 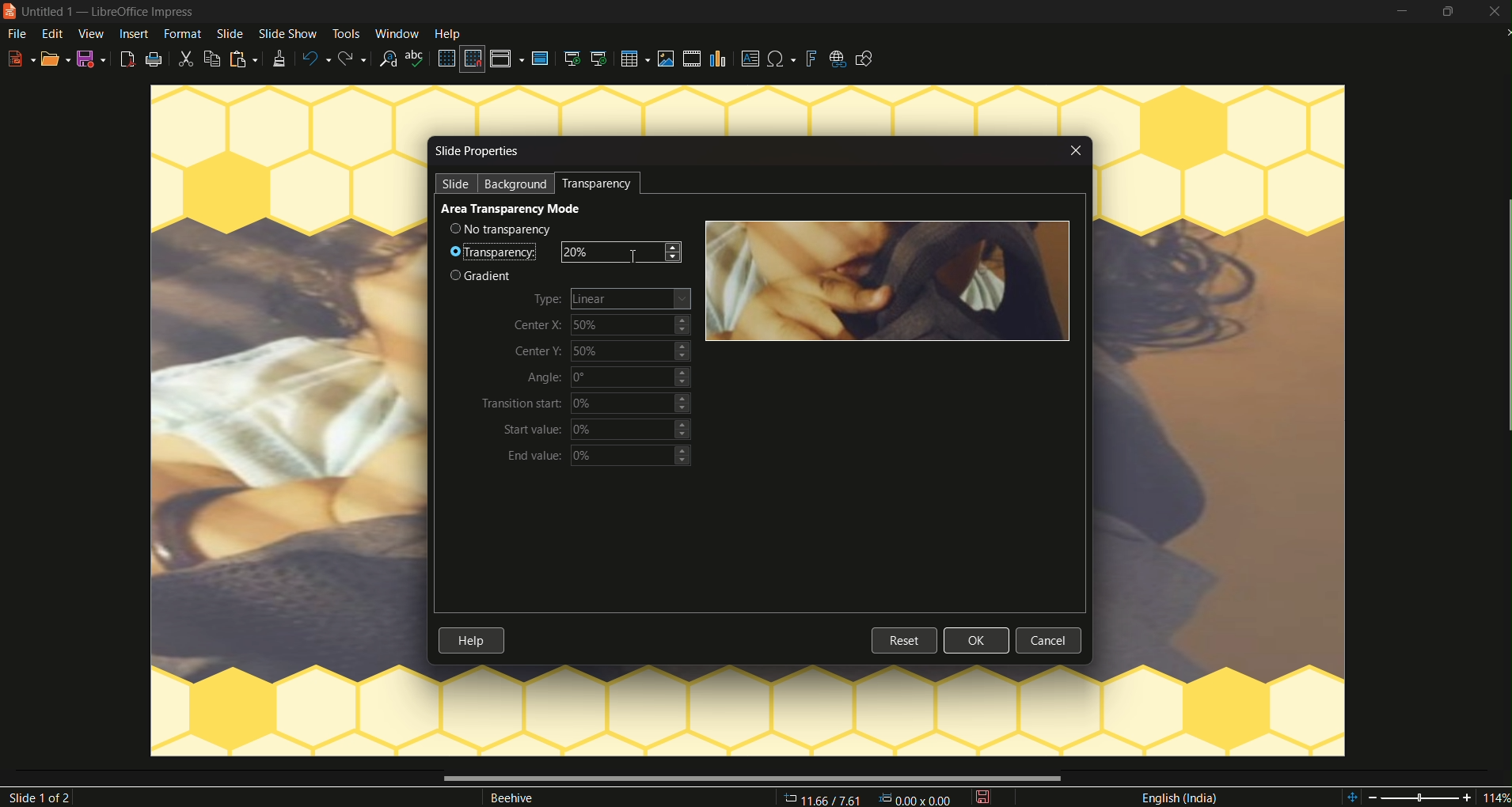 I want to click on redo, so click(x=353, y=59).